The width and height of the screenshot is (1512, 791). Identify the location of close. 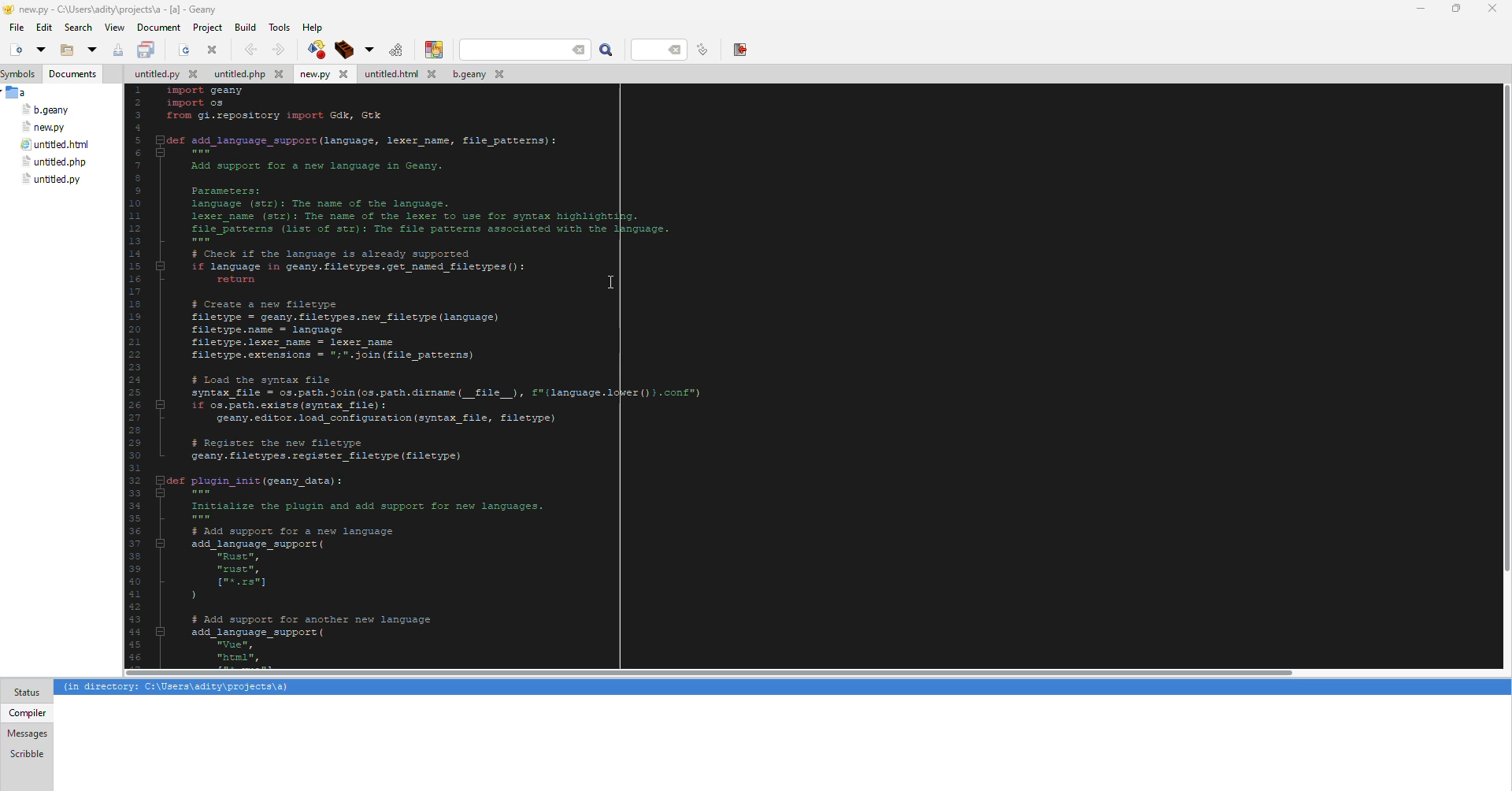
(213, 50).